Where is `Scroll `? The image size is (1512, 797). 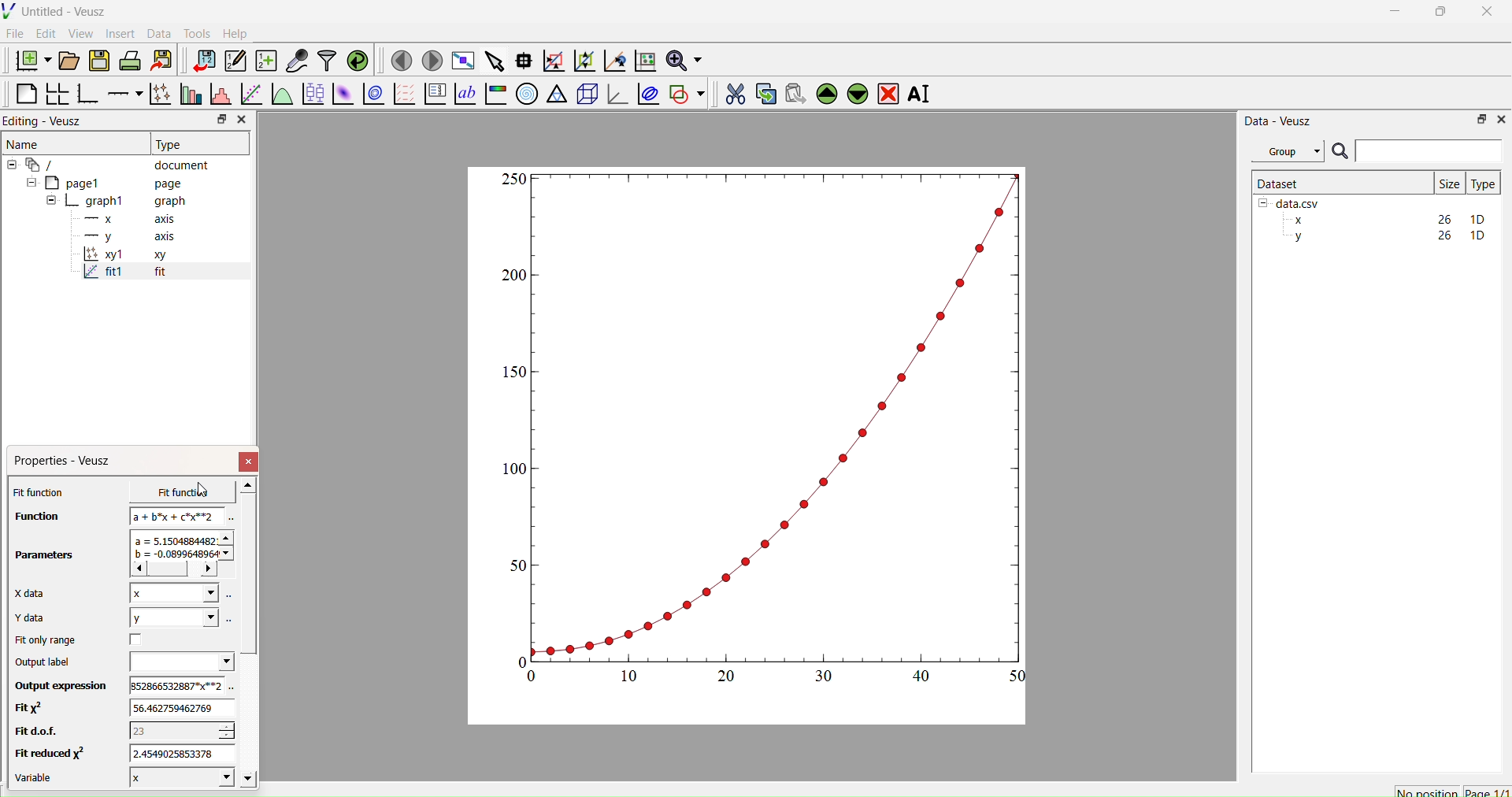
Scroll  is located at coordinates (249, 634).